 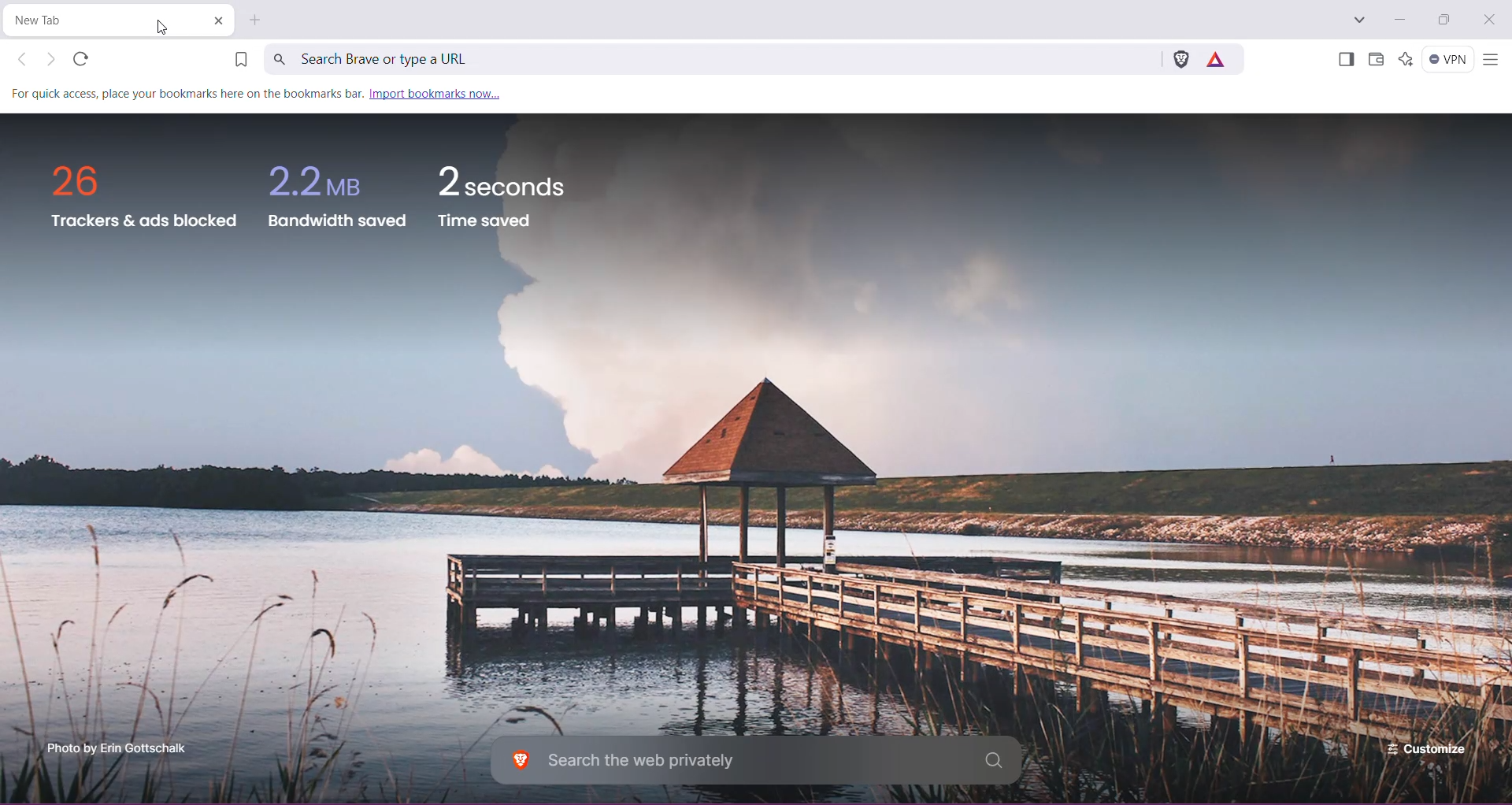 I want to click on Click to go back, hold to see history, so click(x=23, y=60).